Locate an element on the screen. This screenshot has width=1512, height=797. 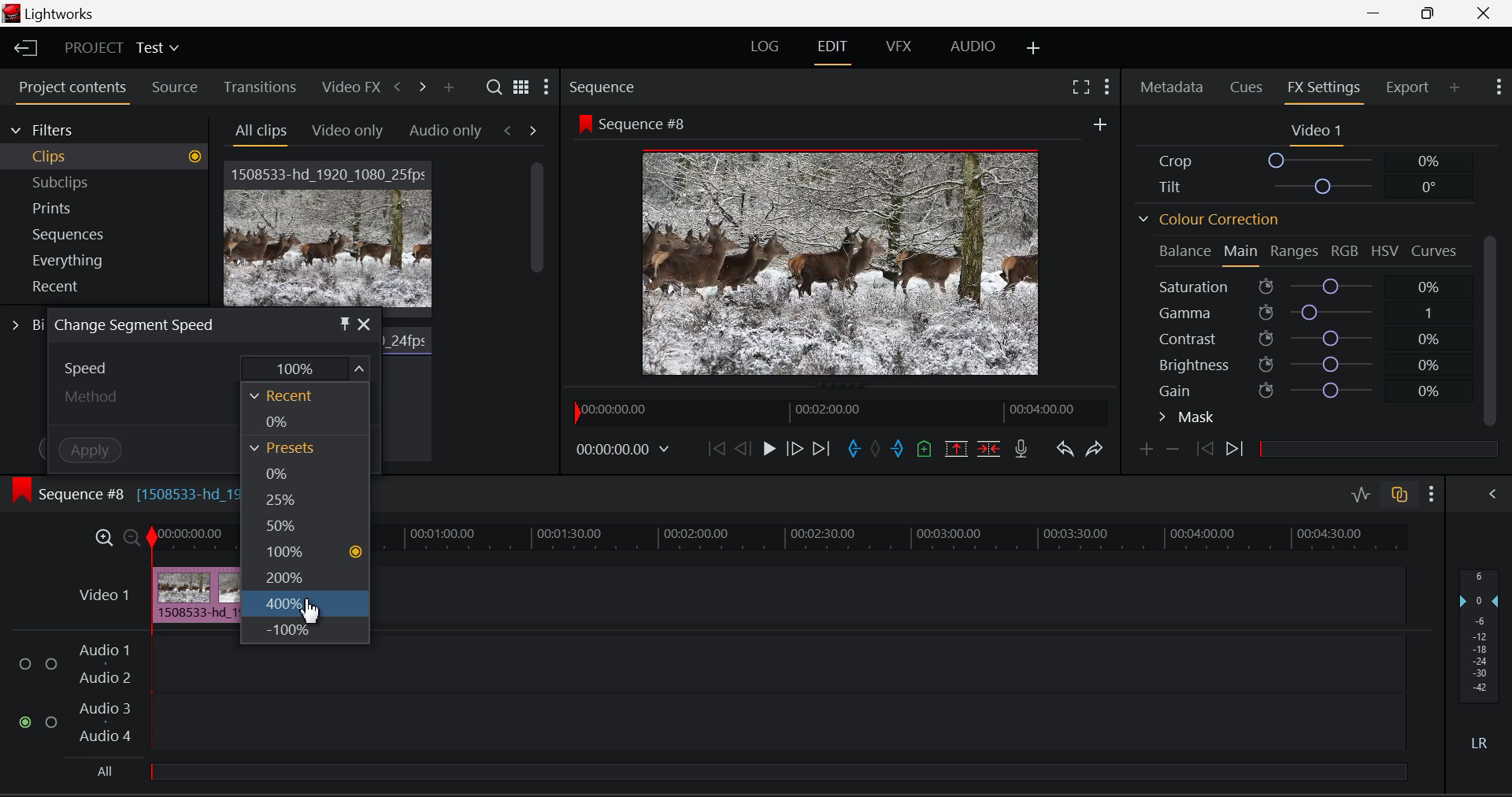
Audio Input checkbox is located at coordinates (24, 722).